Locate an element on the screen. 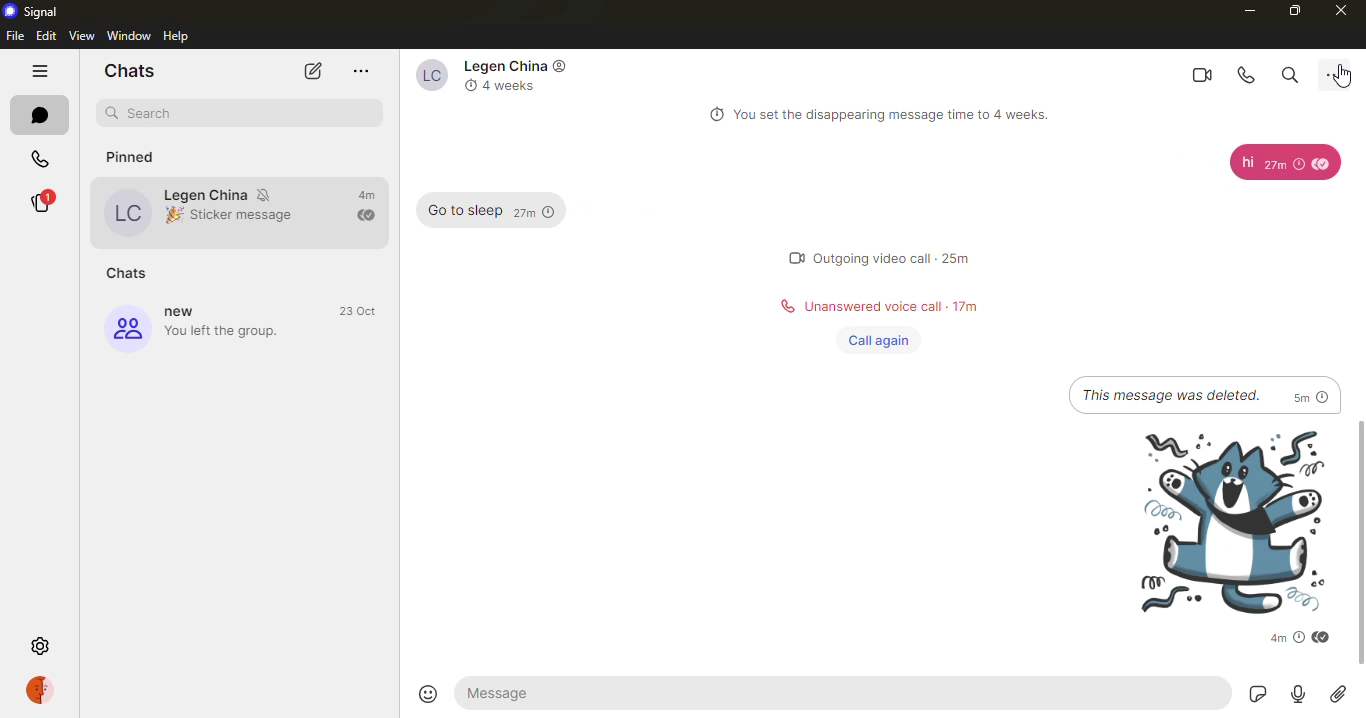  Sticker message is located at coordinates (248, 214).